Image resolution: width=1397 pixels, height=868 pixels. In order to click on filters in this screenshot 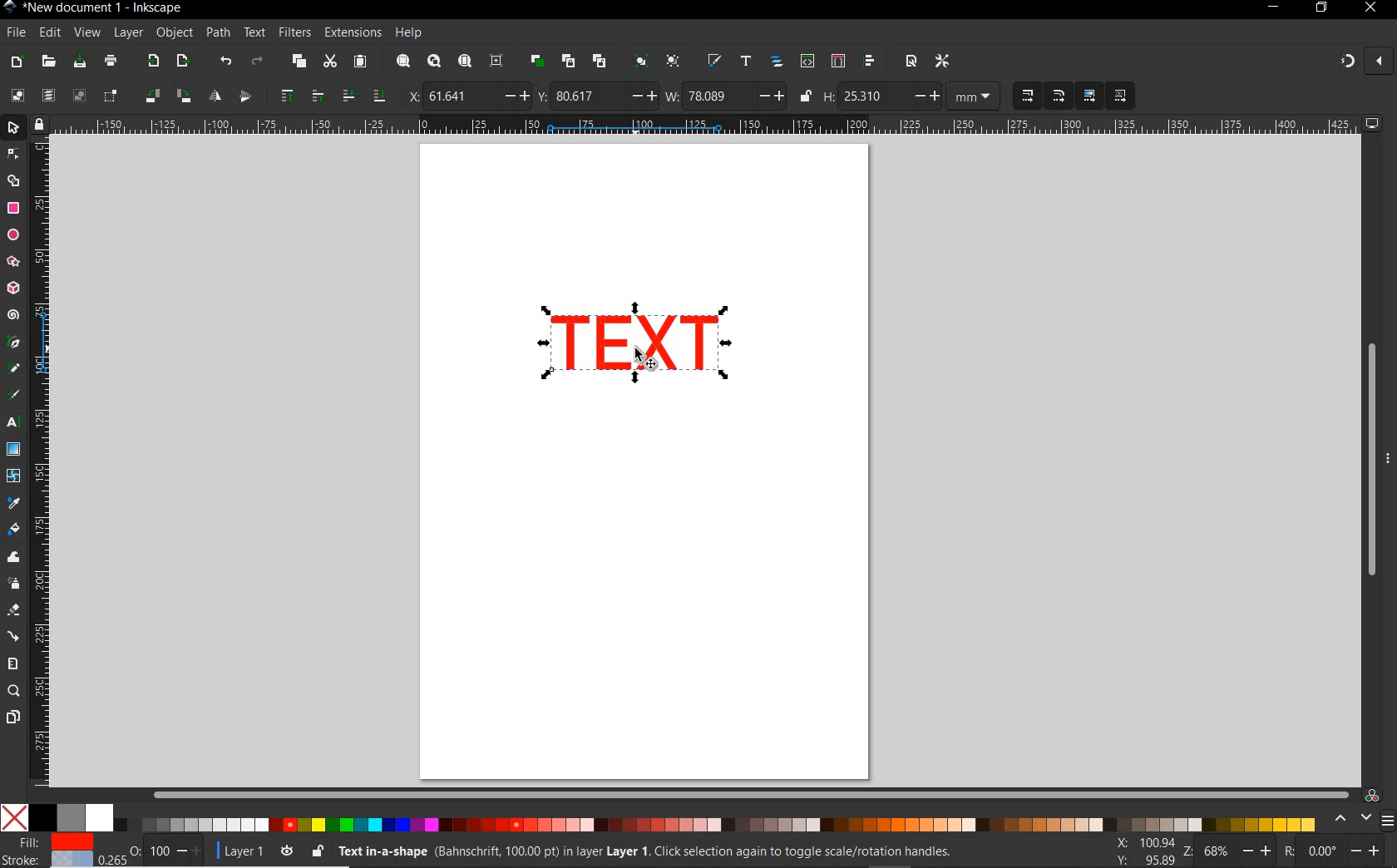, I will do `click(294, 32)`.